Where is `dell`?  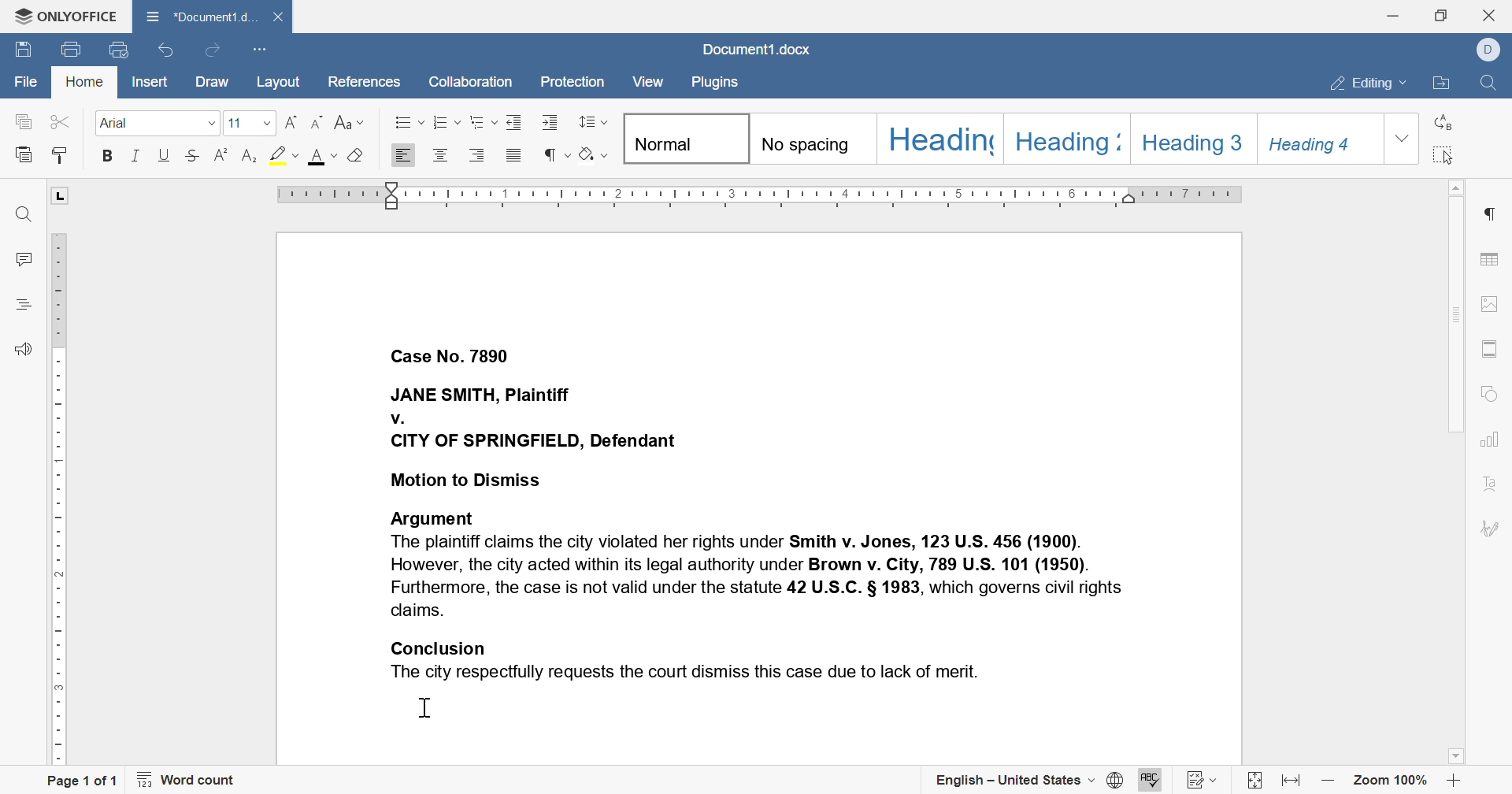 dell is located at coordinates (1486, 50).